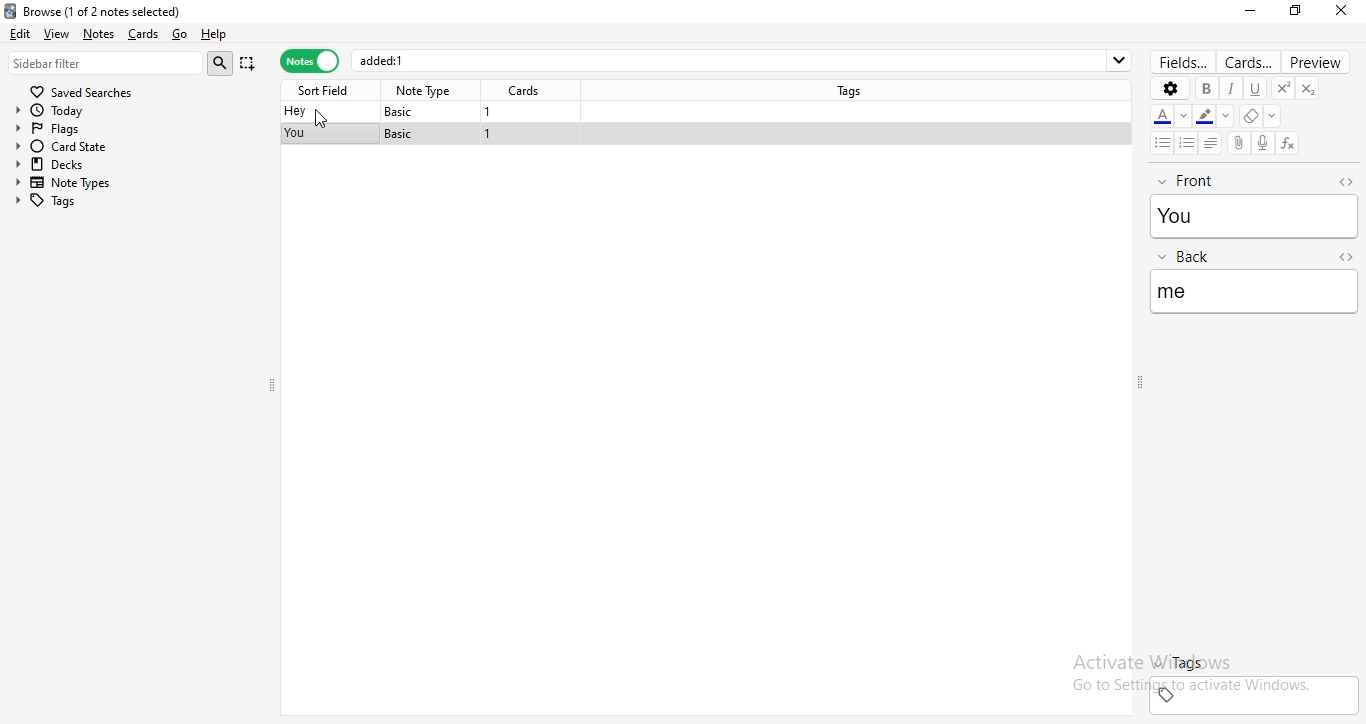 The image size is (1366, 724). I want to click on you, so click(1260, 217).